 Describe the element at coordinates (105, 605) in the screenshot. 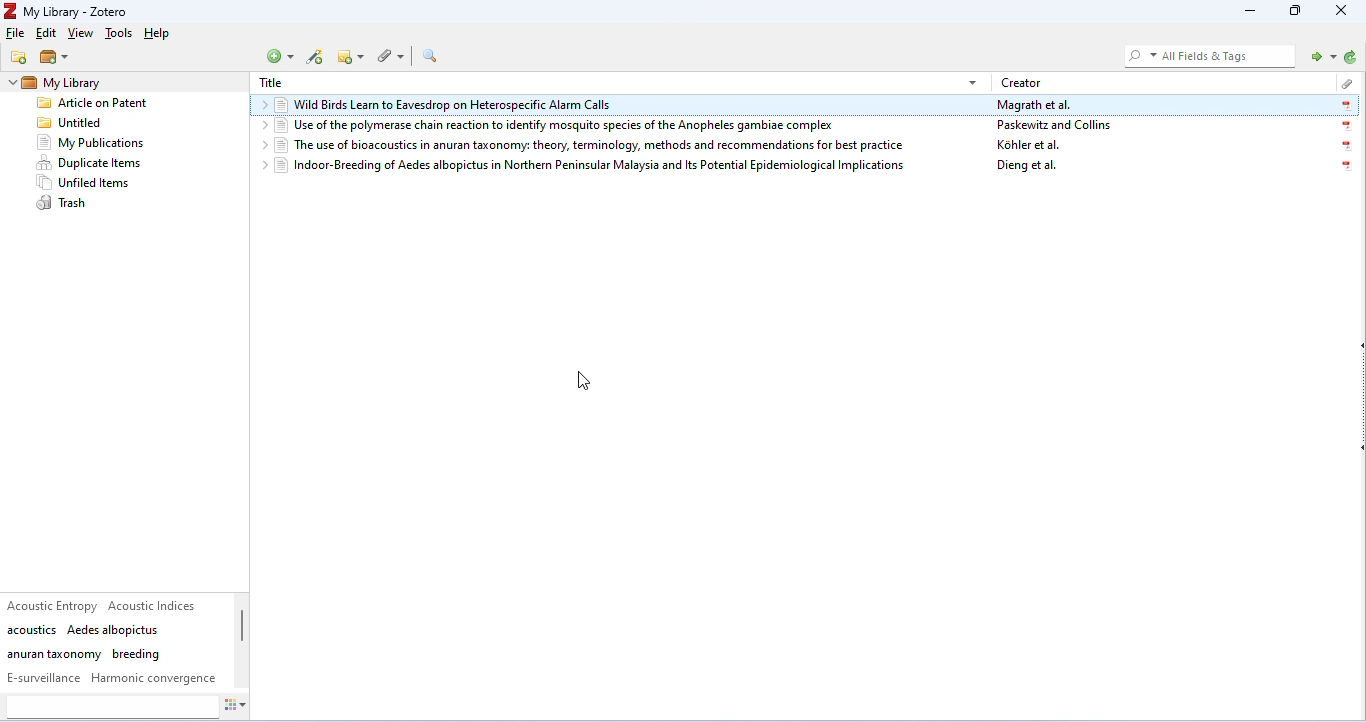

I see `Acoustic Entropy Acoustic Indices` at that location.